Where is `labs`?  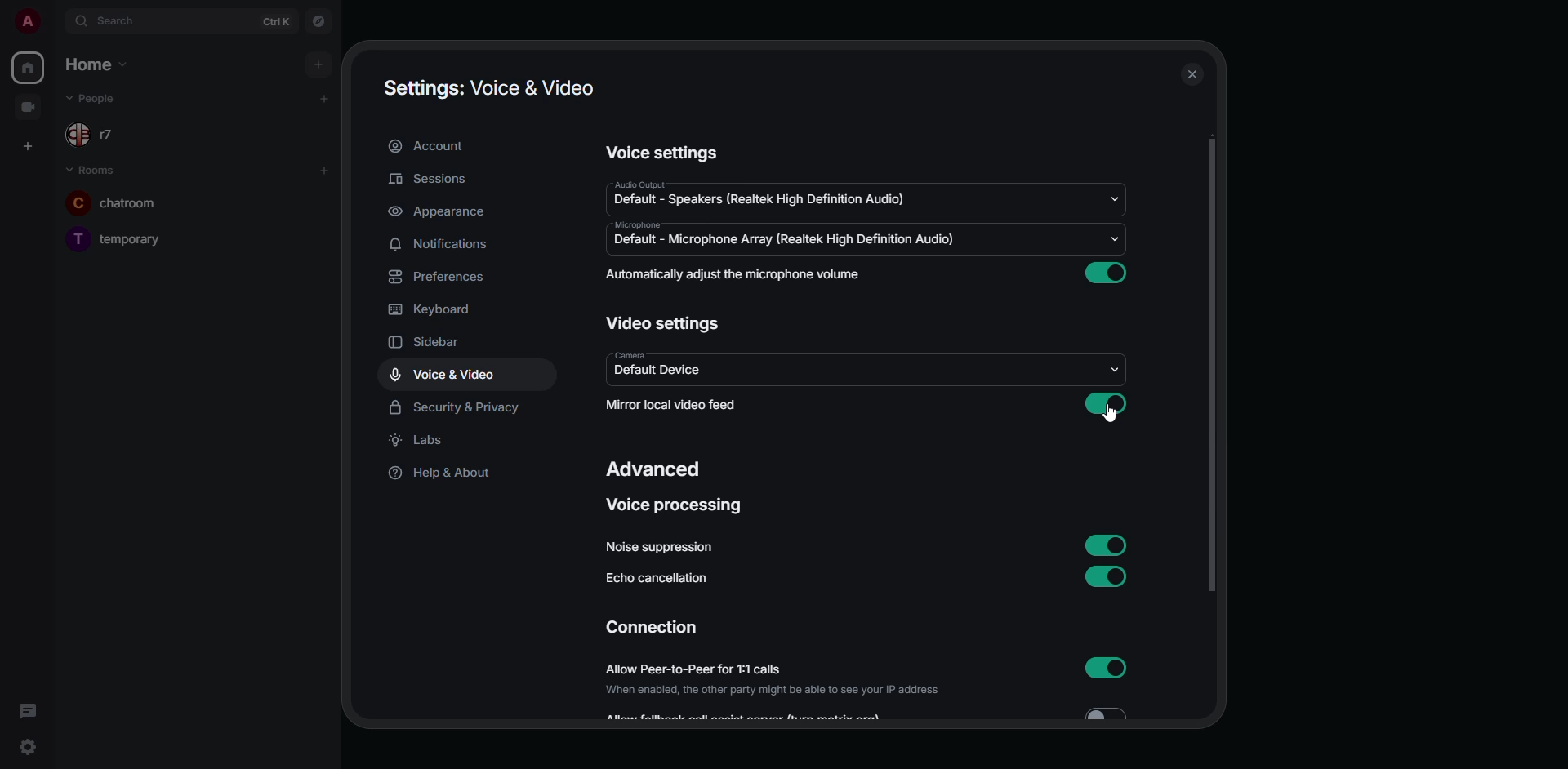 labs is located at coordinates (425, 442).